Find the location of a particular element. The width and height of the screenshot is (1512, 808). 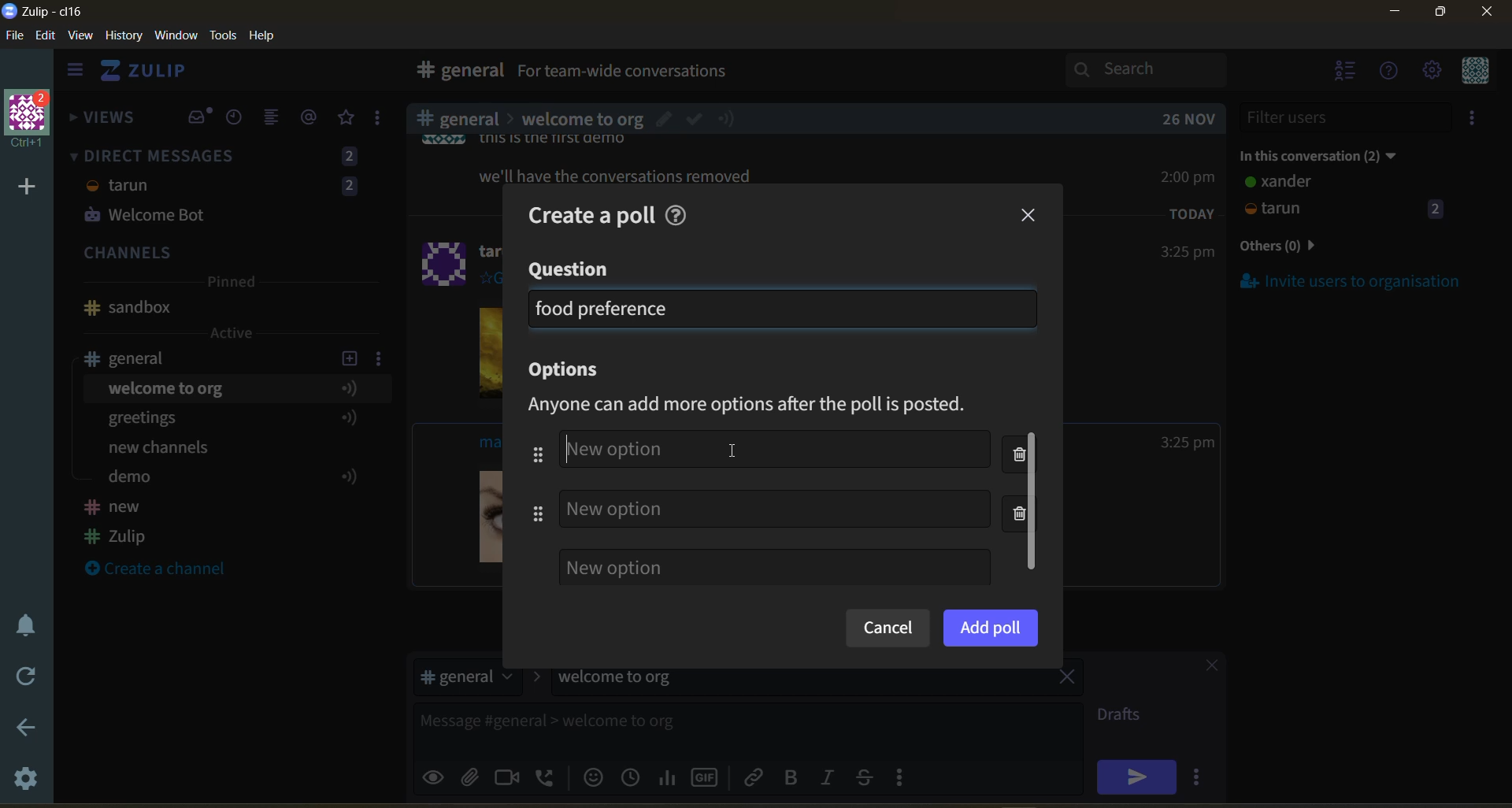

settings menu is located at coordinates (1431, 72).